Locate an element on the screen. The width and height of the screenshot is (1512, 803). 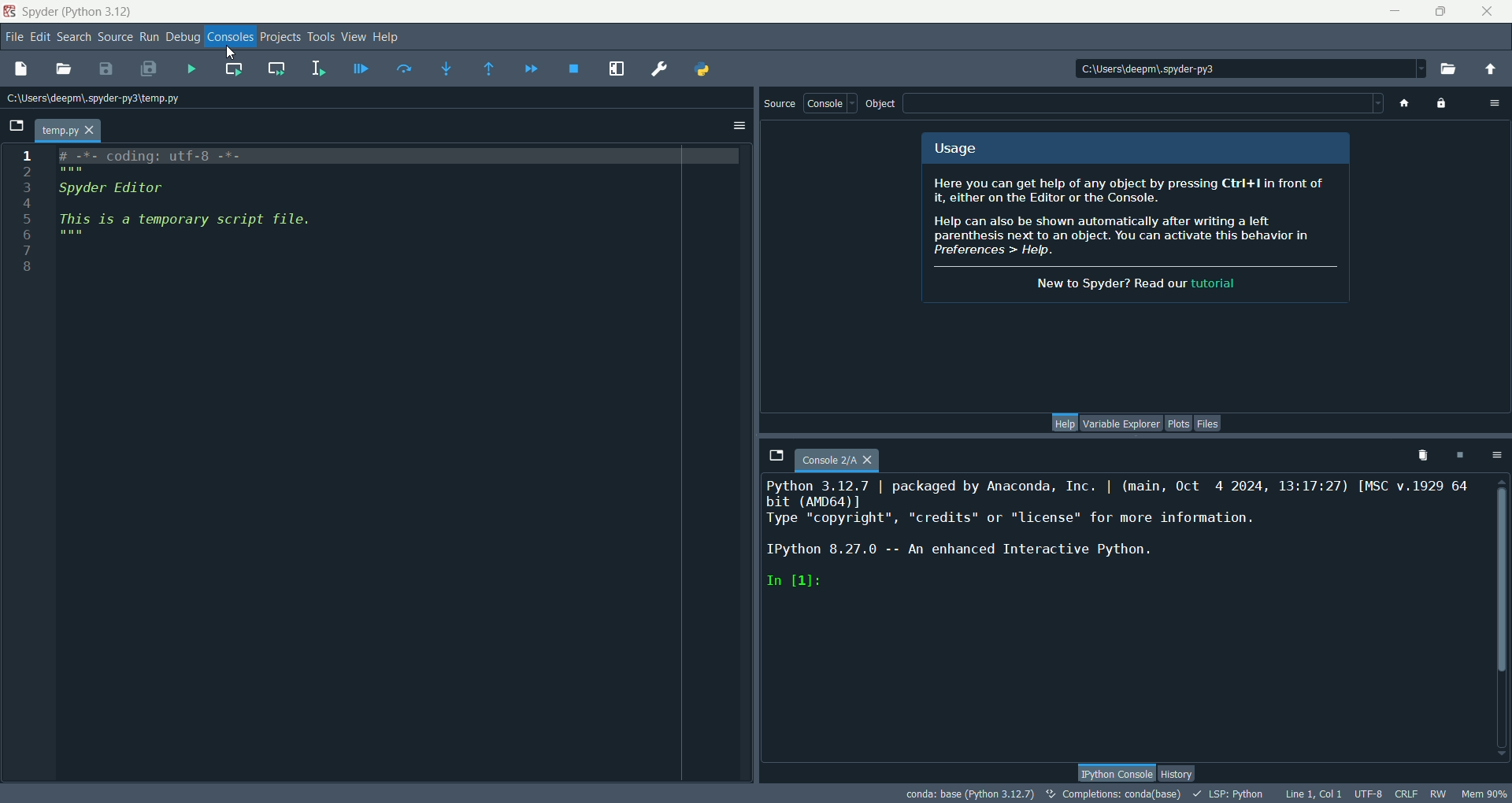
home is located at coordinates (1406, 102).